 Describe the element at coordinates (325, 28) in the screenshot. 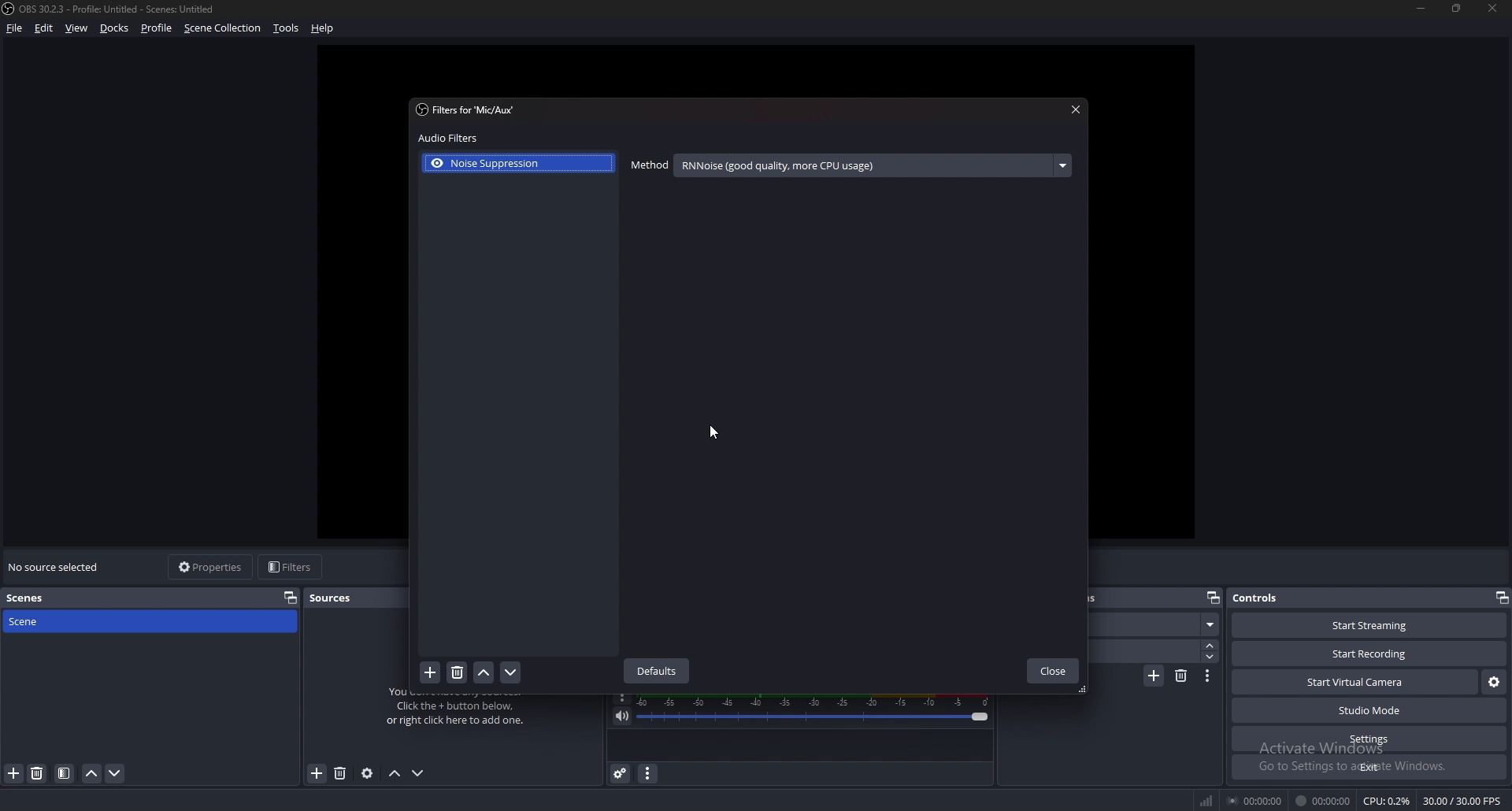

I see `help` at that location.